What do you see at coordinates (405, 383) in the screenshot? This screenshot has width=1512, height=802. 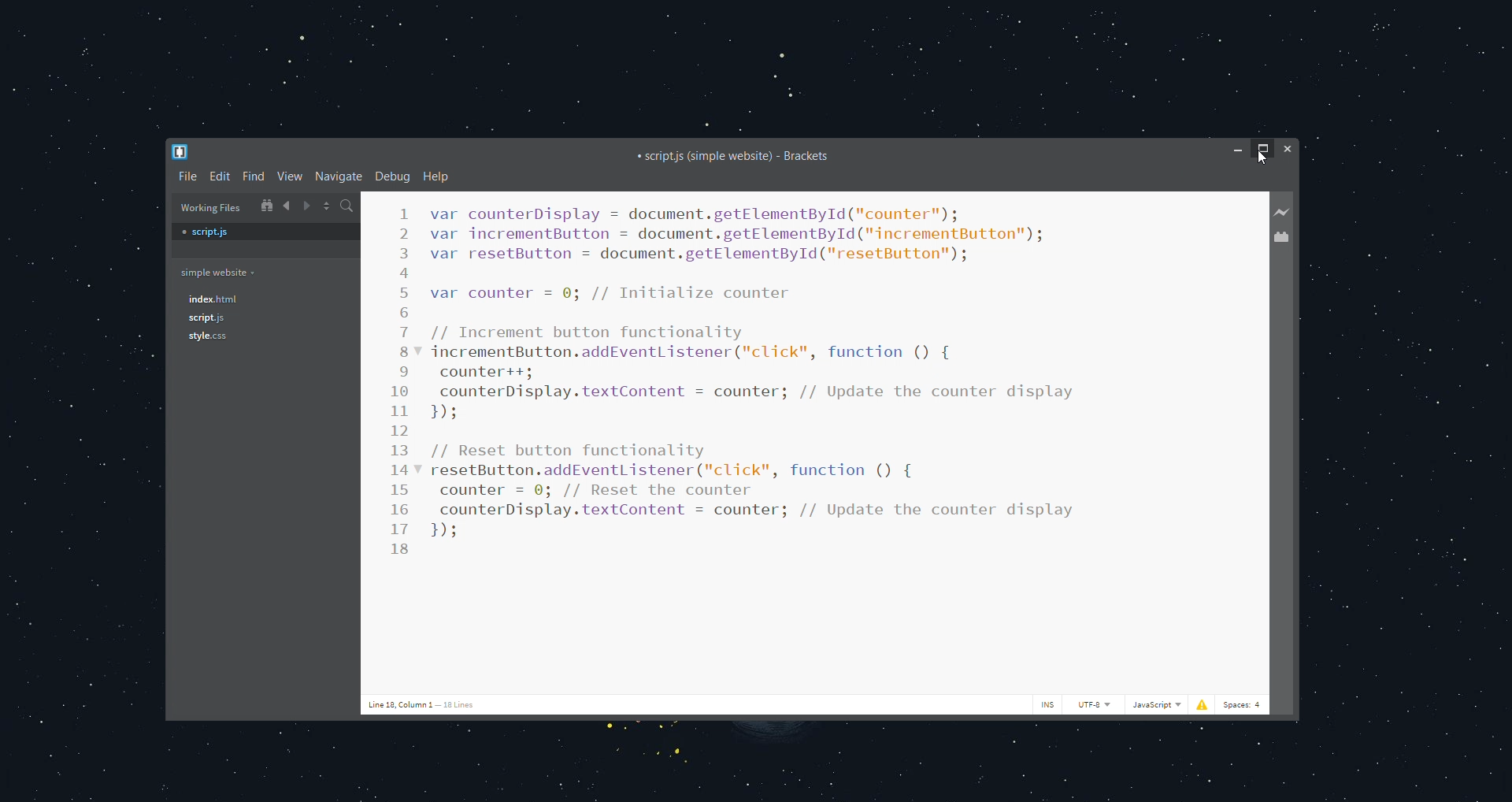 I see `Line number` at bounding box center [405, 383].